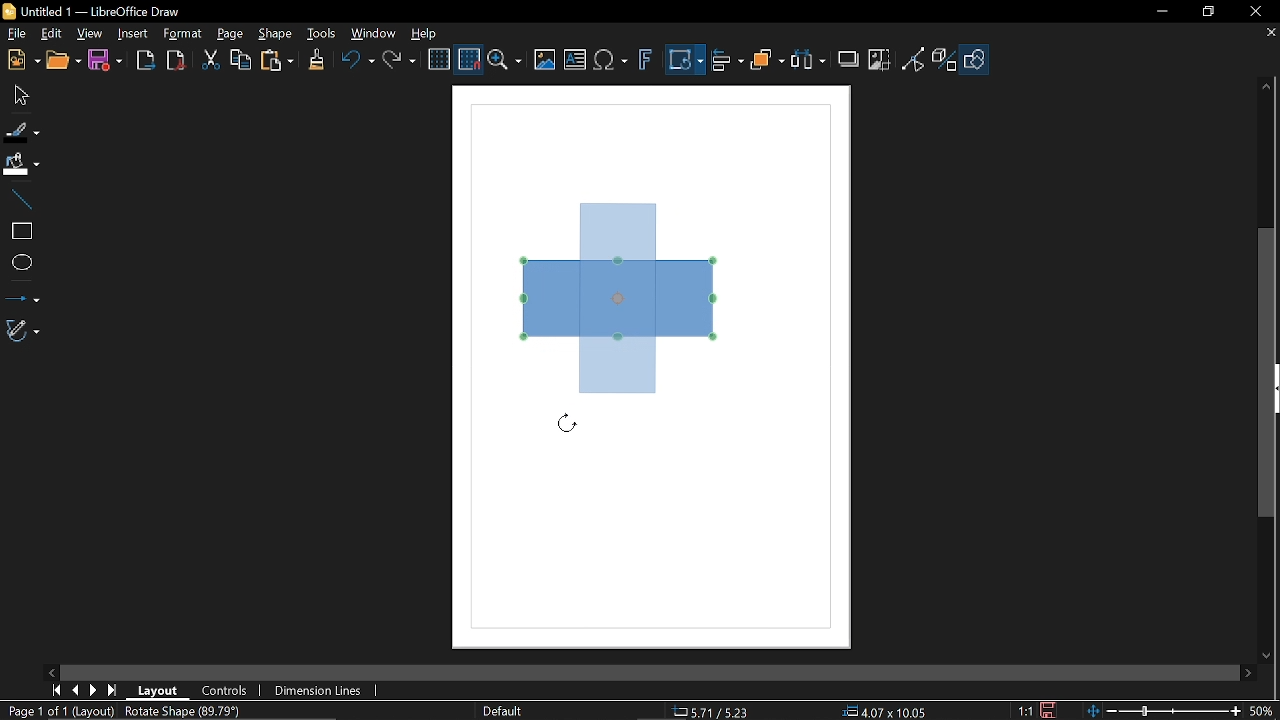 The height and width of the screenshot is (720, 1280). I want to click on Move up, so click(1269, 87).